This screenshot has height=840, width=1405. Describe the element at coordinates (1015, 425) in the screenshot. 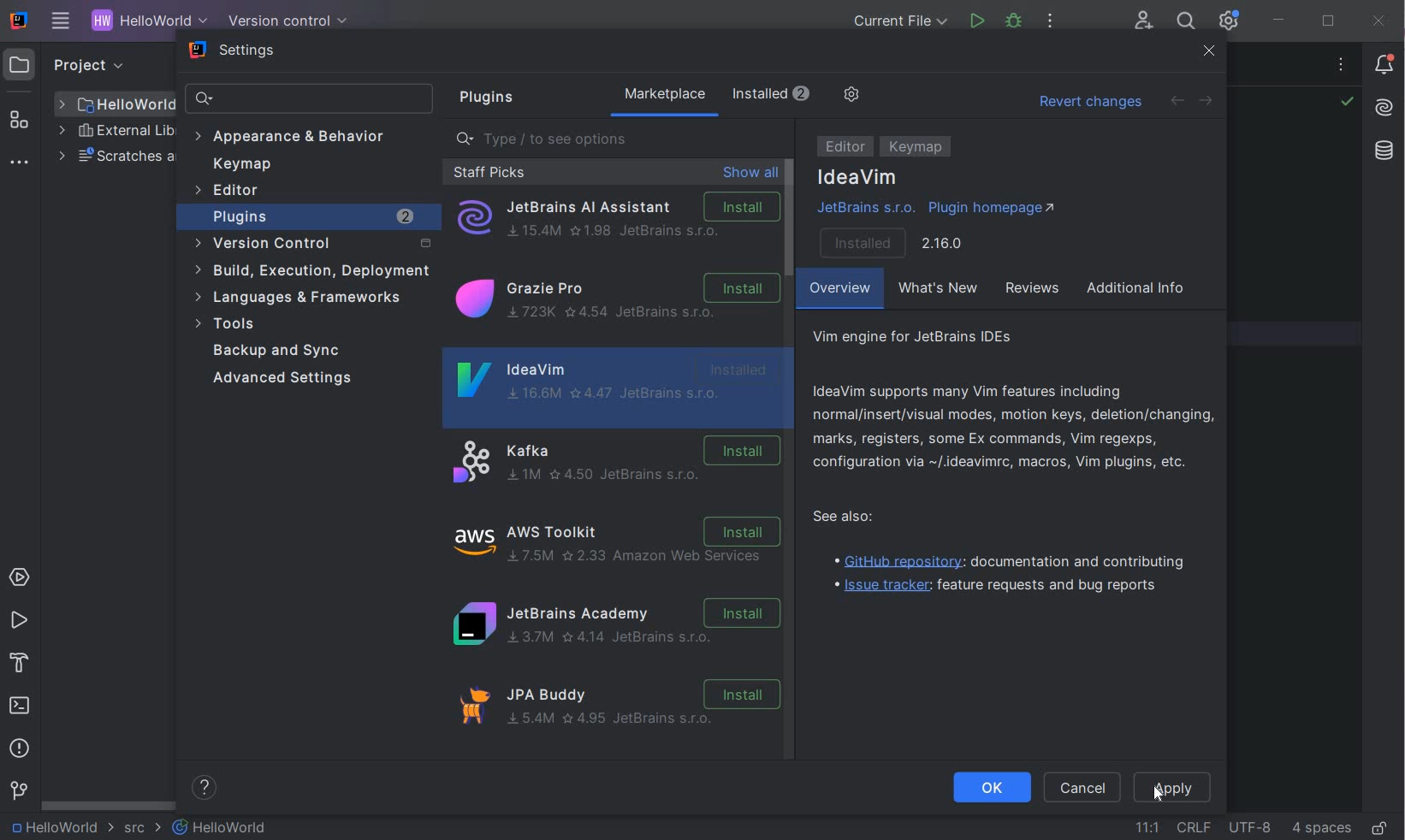

I see `IdeaVim supports many Vim features including` at that location.